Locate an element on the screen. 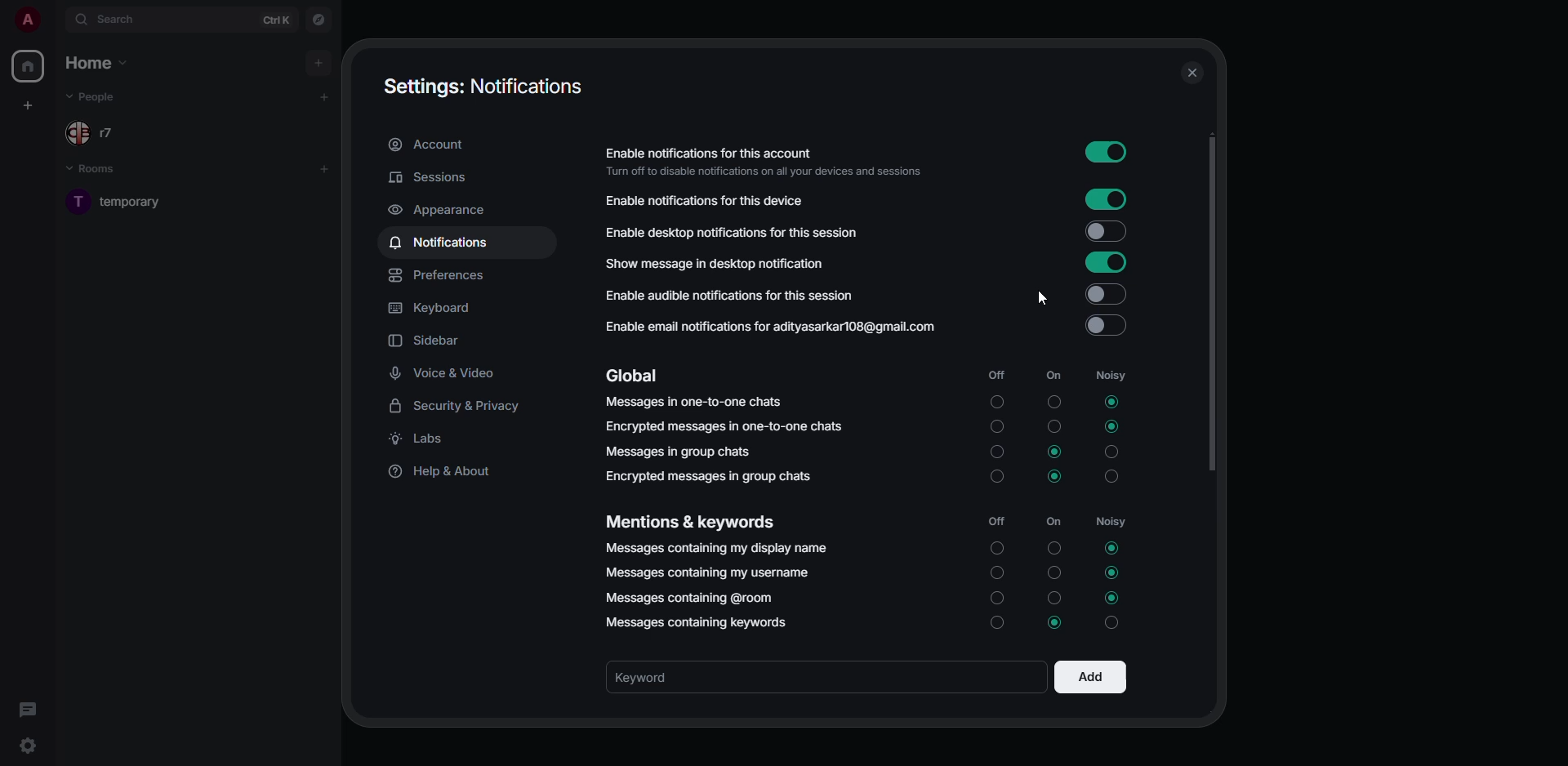  add is located at coordinates (324, 167).